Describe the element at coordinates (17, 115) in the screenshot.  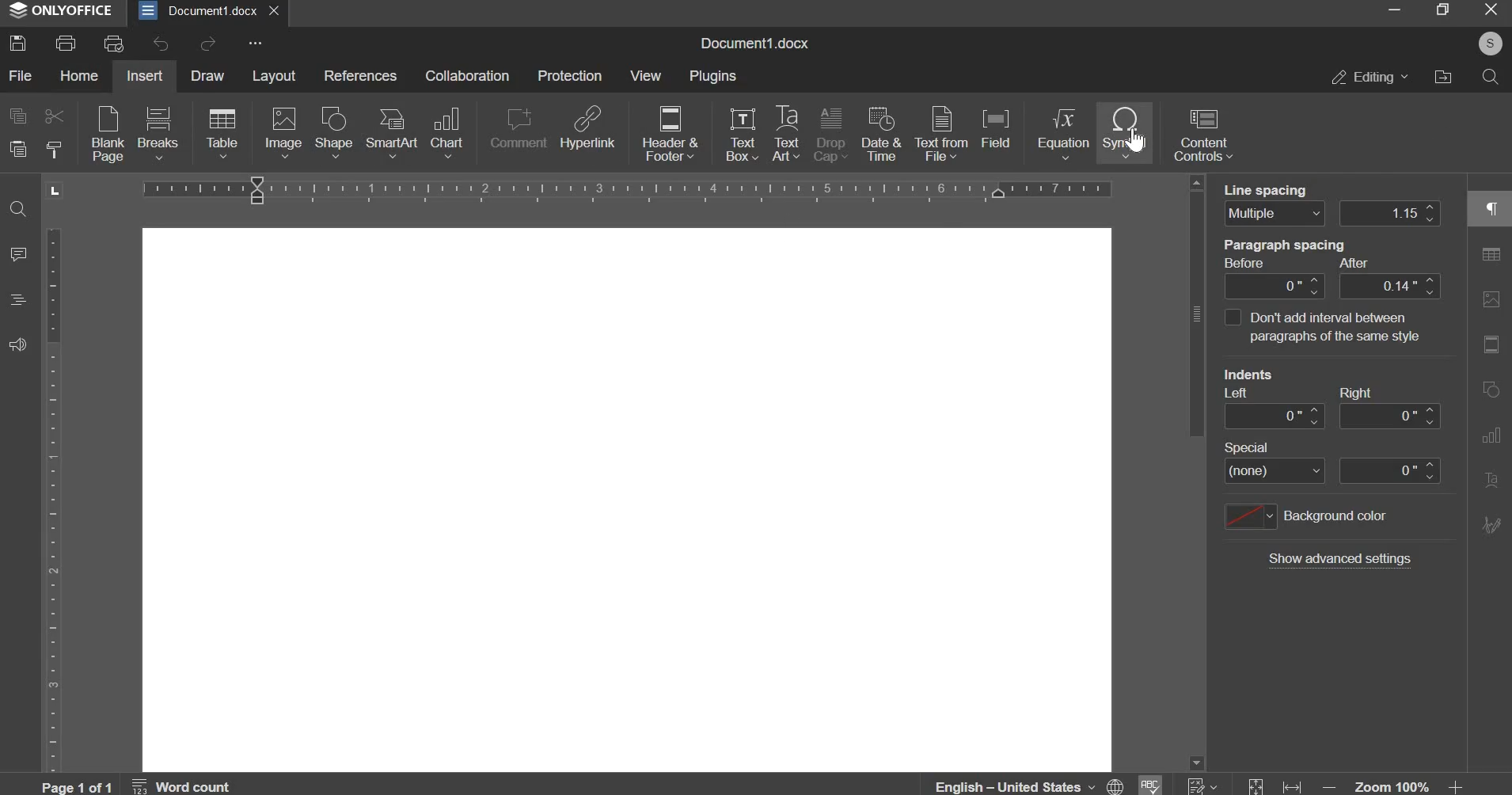
I see `copy` at that location.